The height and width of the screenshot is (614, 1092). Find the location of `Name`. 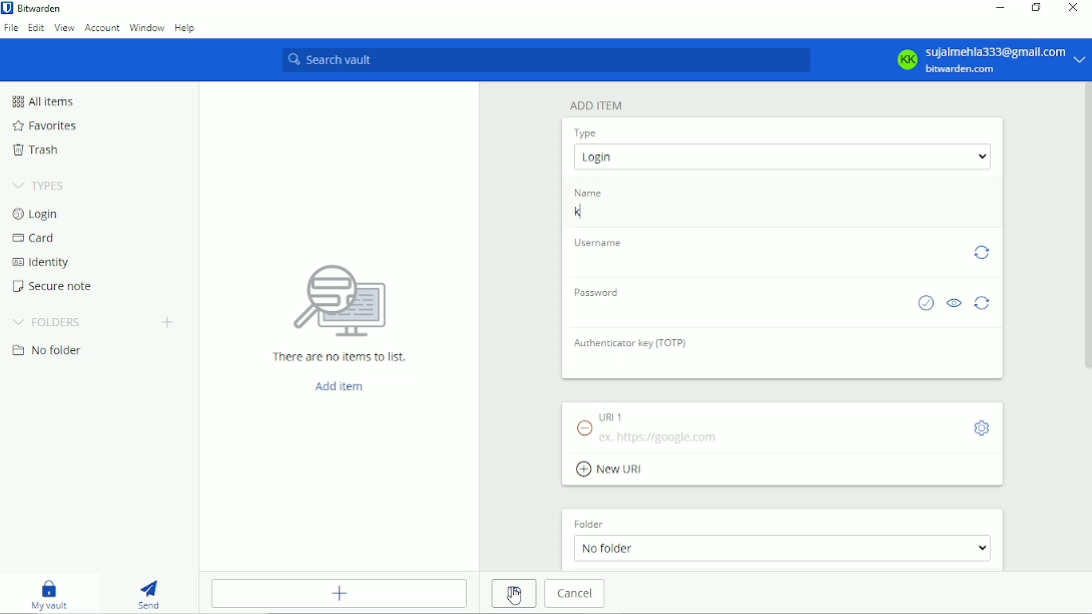

Name is located at coordinates (588, 191).